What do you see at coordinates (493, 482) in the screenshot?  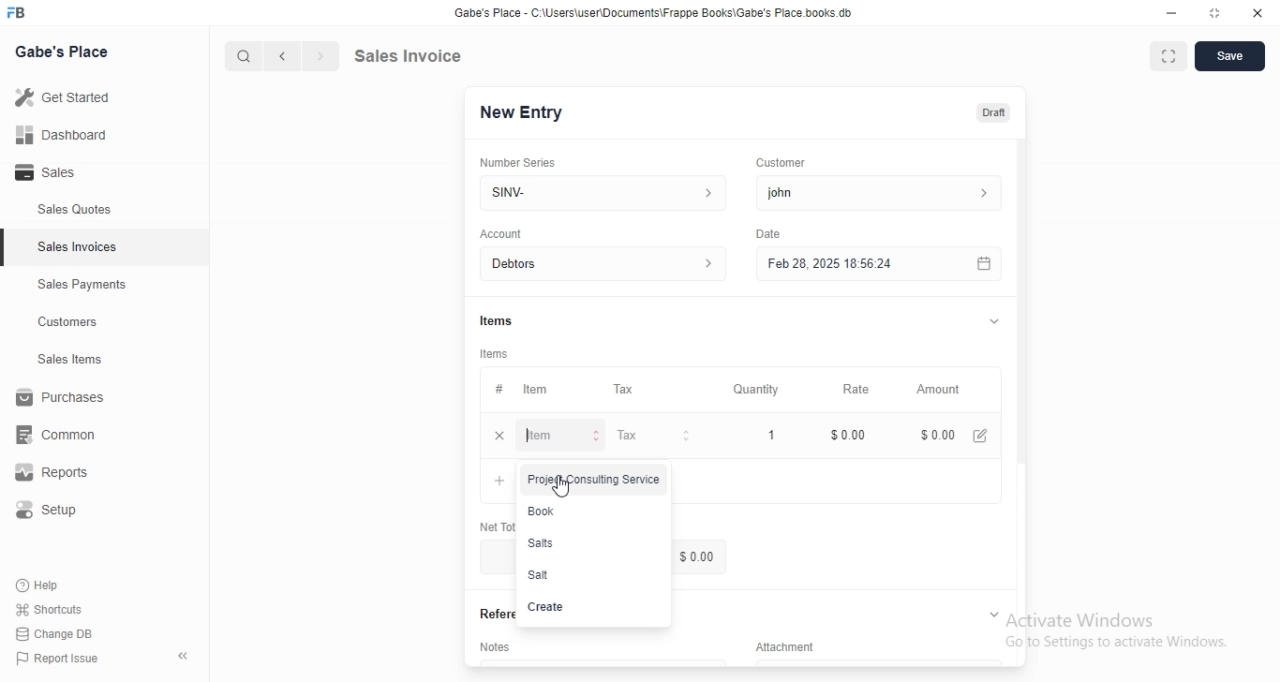 I see `+ Add Row` at bounding box center [493, 482].